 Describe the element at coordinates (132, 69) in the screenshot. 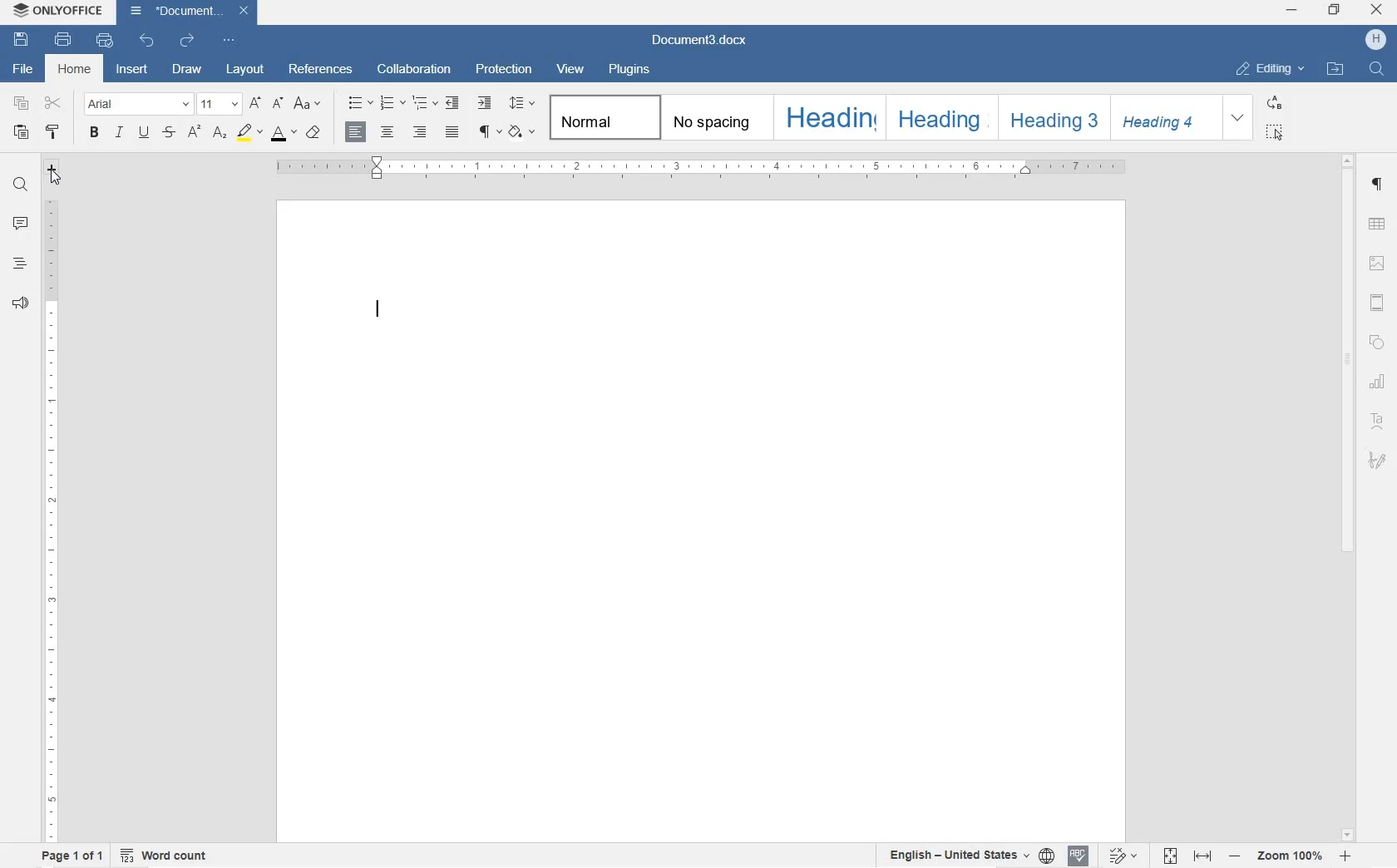

I see `INSERT` at that location.